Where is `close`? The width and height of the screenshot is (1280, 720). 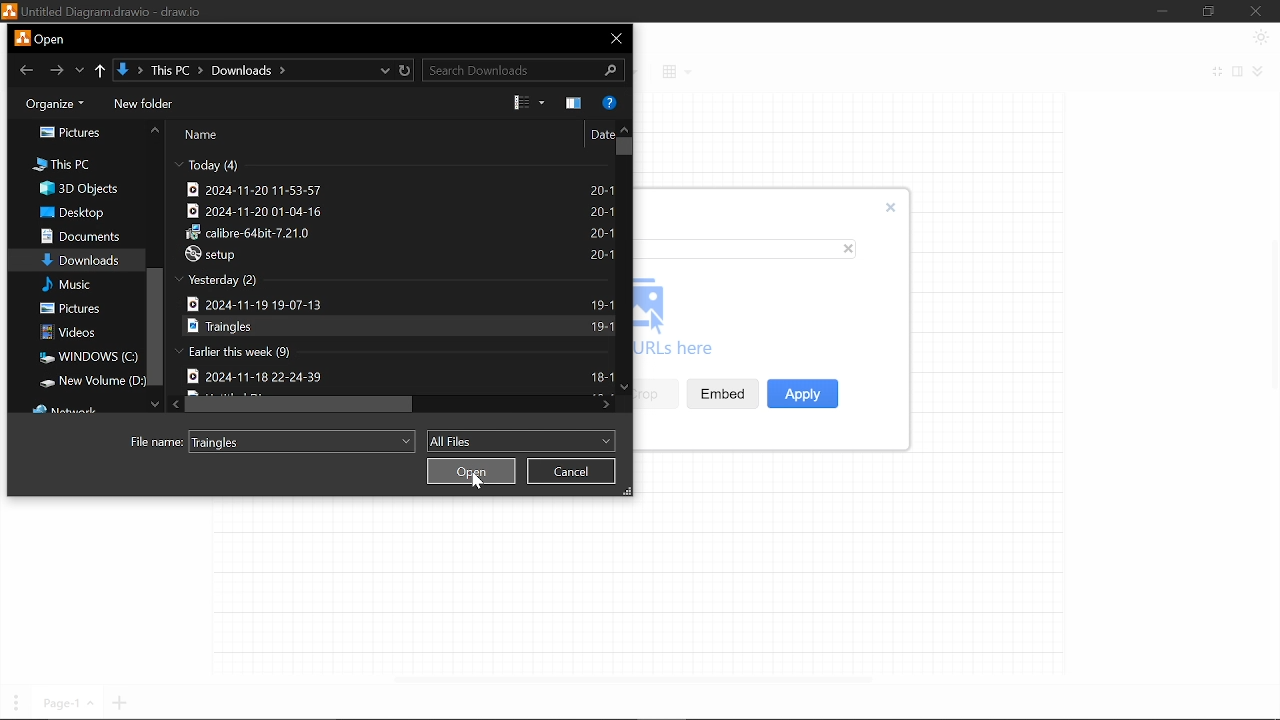
close is located at coordinates (850, 250).